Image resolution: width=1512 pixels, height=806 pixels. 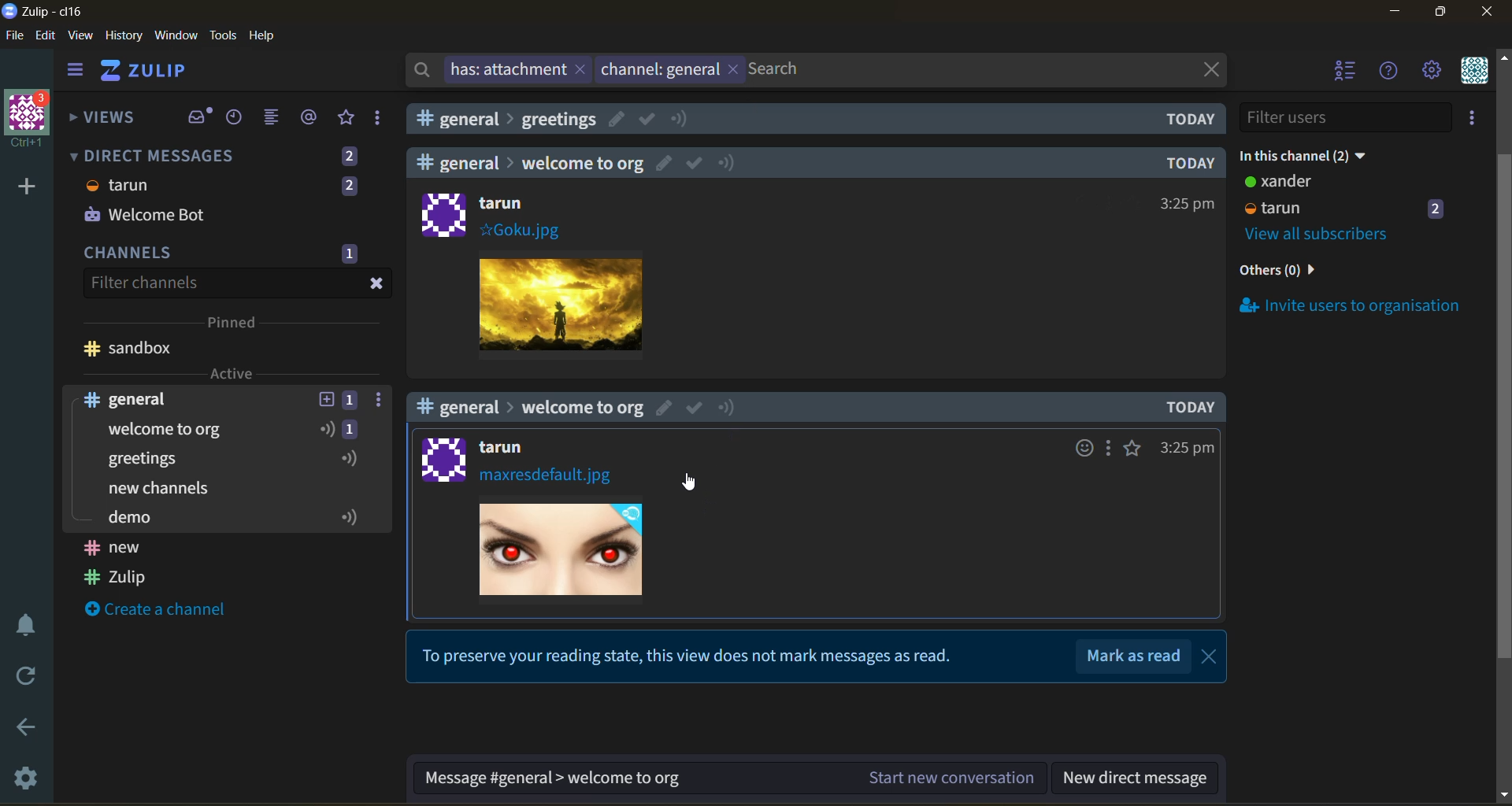 I want to click on DIRECT MESSAGES, so click(x=151, y=156).